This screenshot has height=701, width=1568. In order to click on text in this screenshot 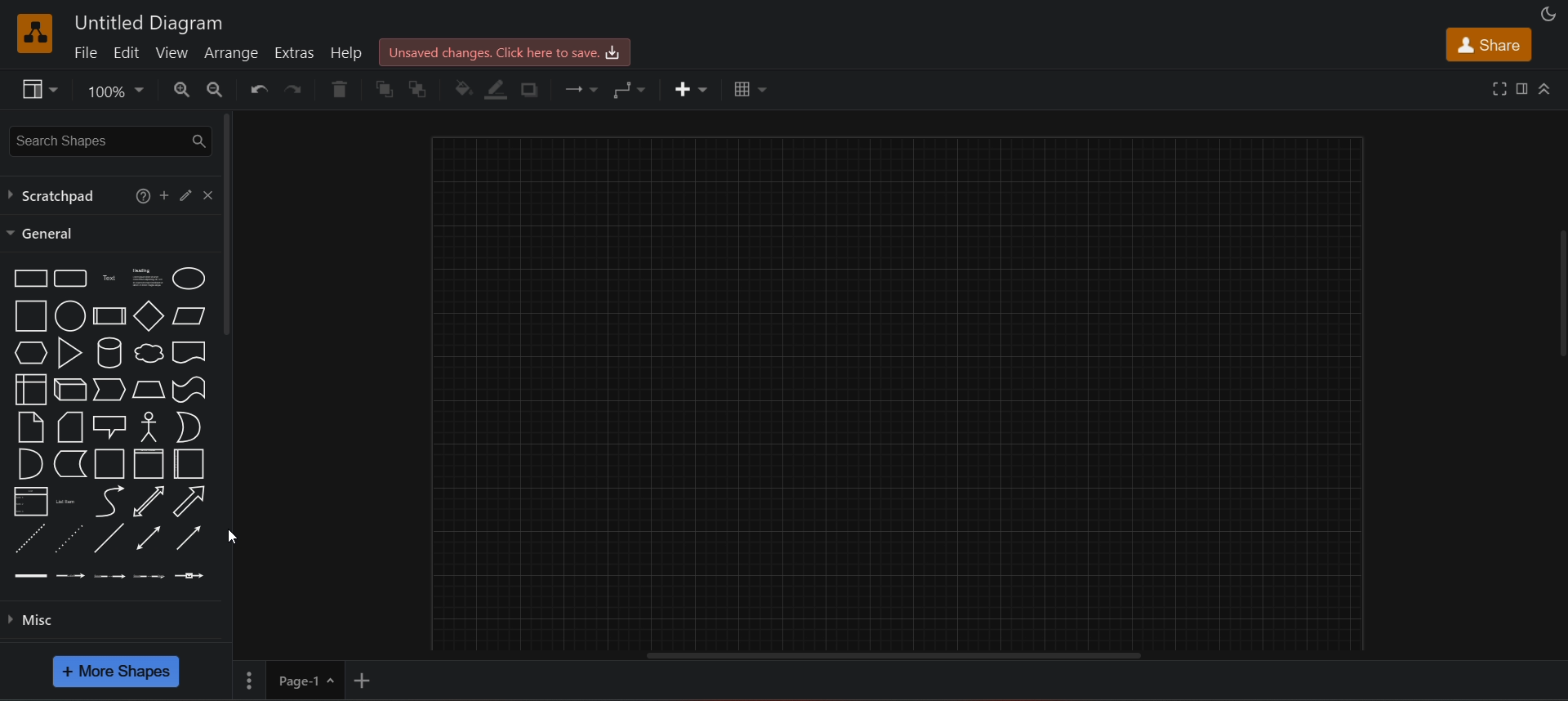, I will do `click(109, 277)`.